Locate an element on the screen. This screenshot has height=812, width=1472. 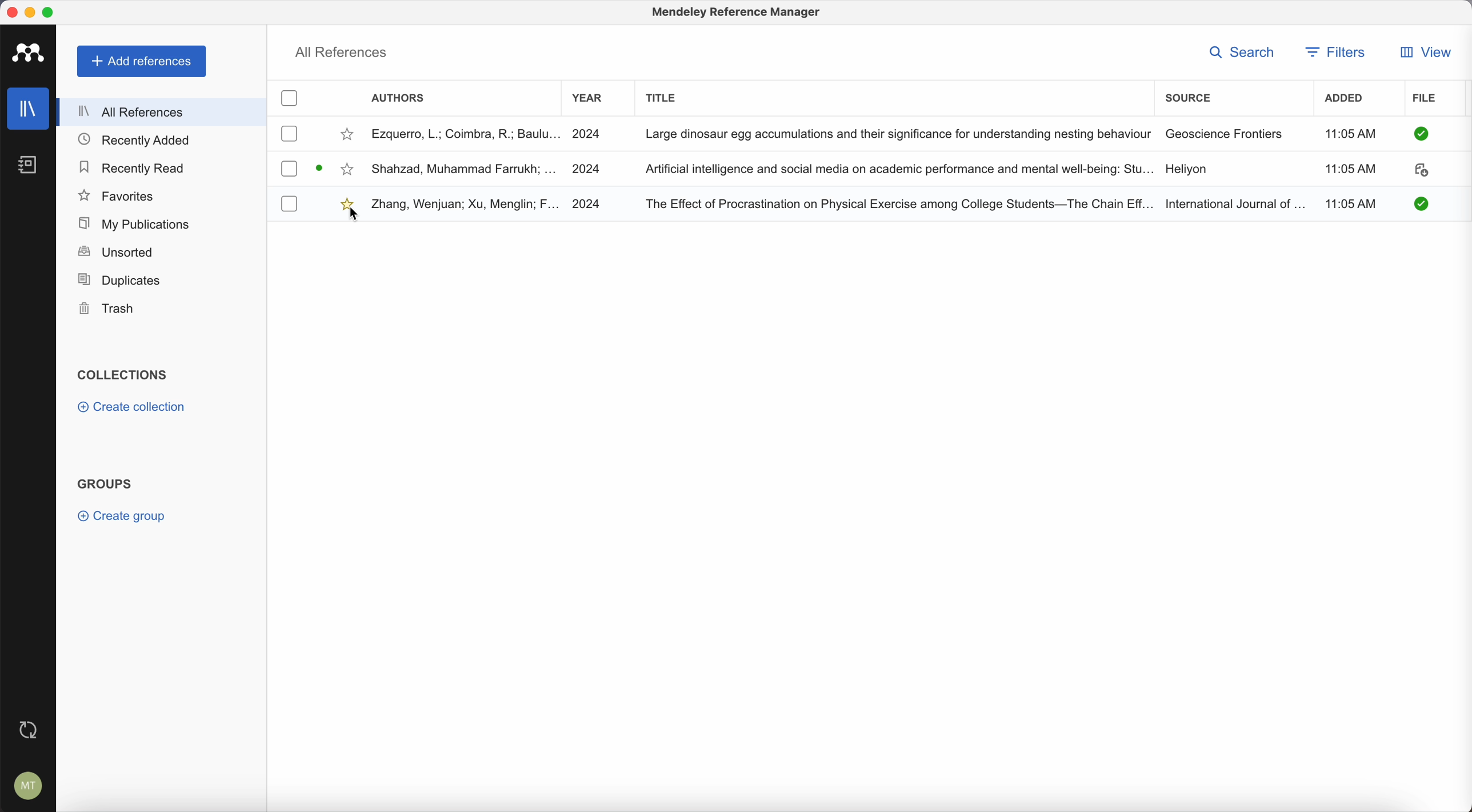
title is located at coordinates (663, 96).